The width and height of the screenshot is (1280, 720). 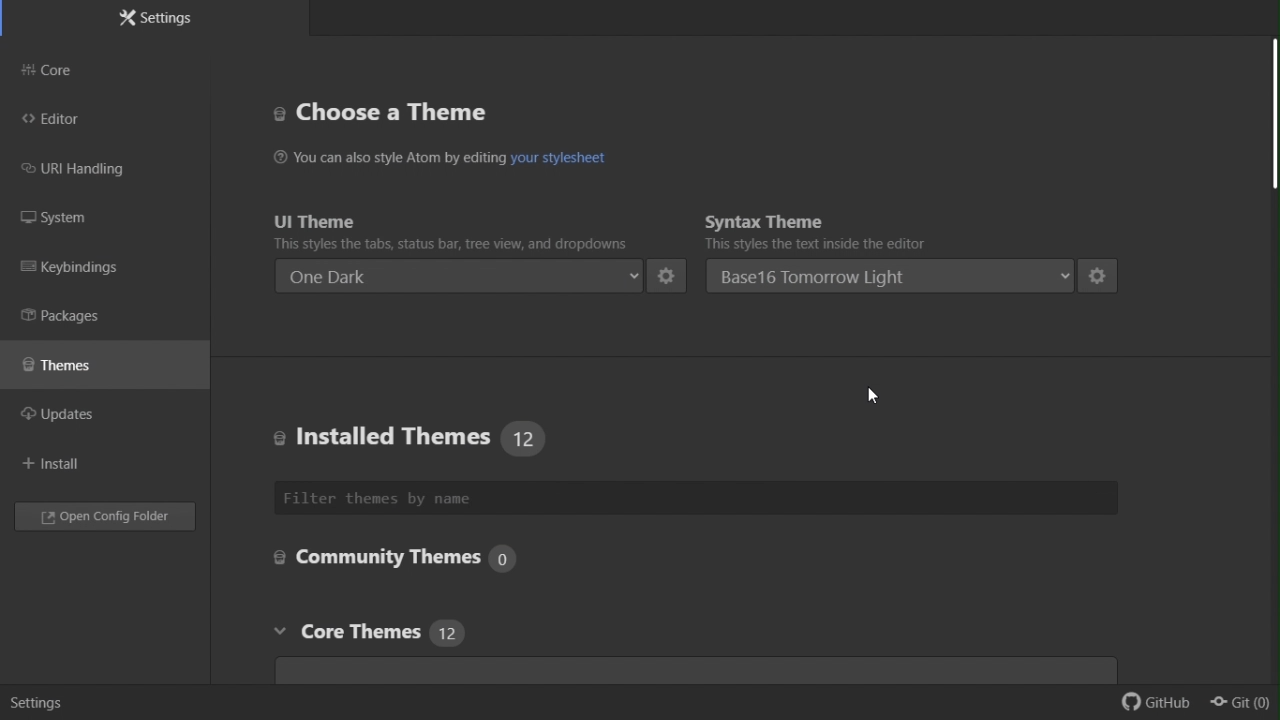 What do you see at coordinates (403, 433) in the screenshot?
I see `Installed themes` at bounding box center [403, 433].